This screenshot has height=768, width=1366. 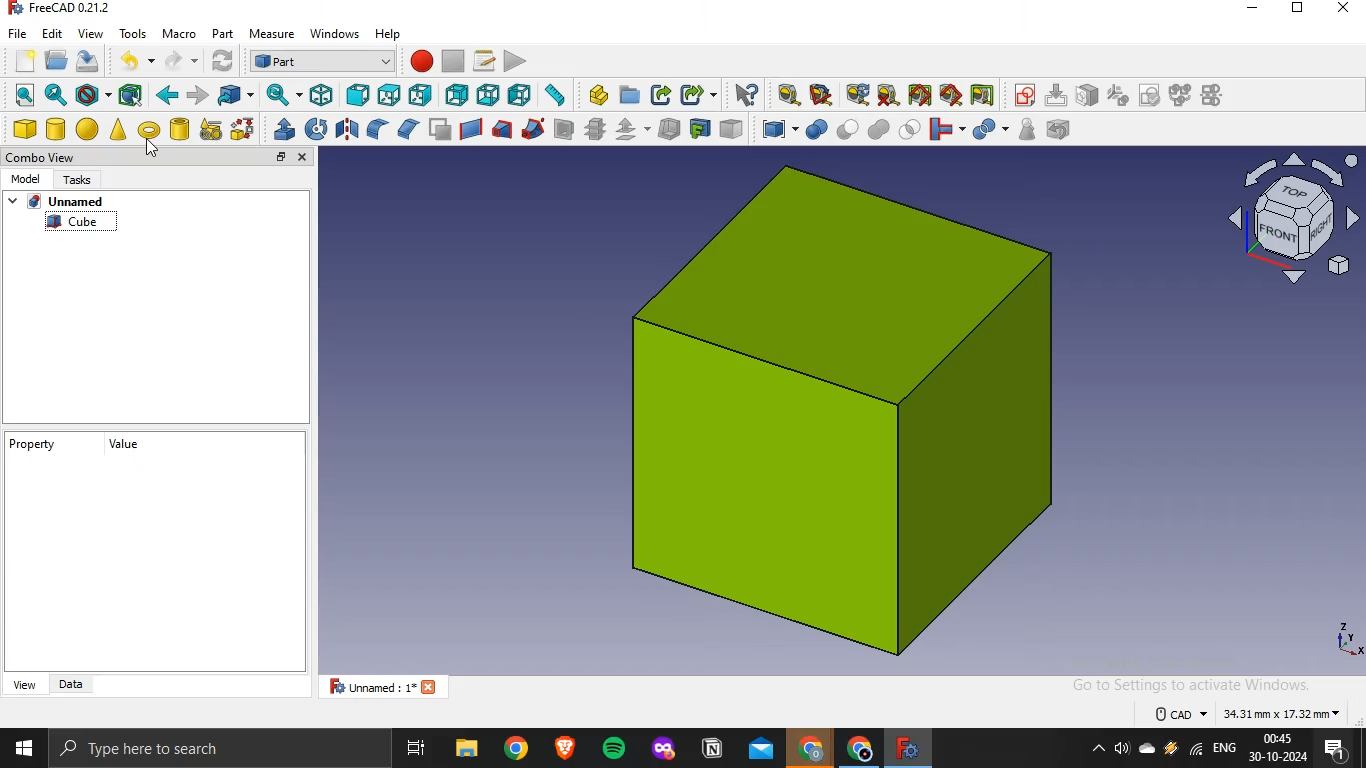 I want to click on toggle delta, so click(x=984, y=93).